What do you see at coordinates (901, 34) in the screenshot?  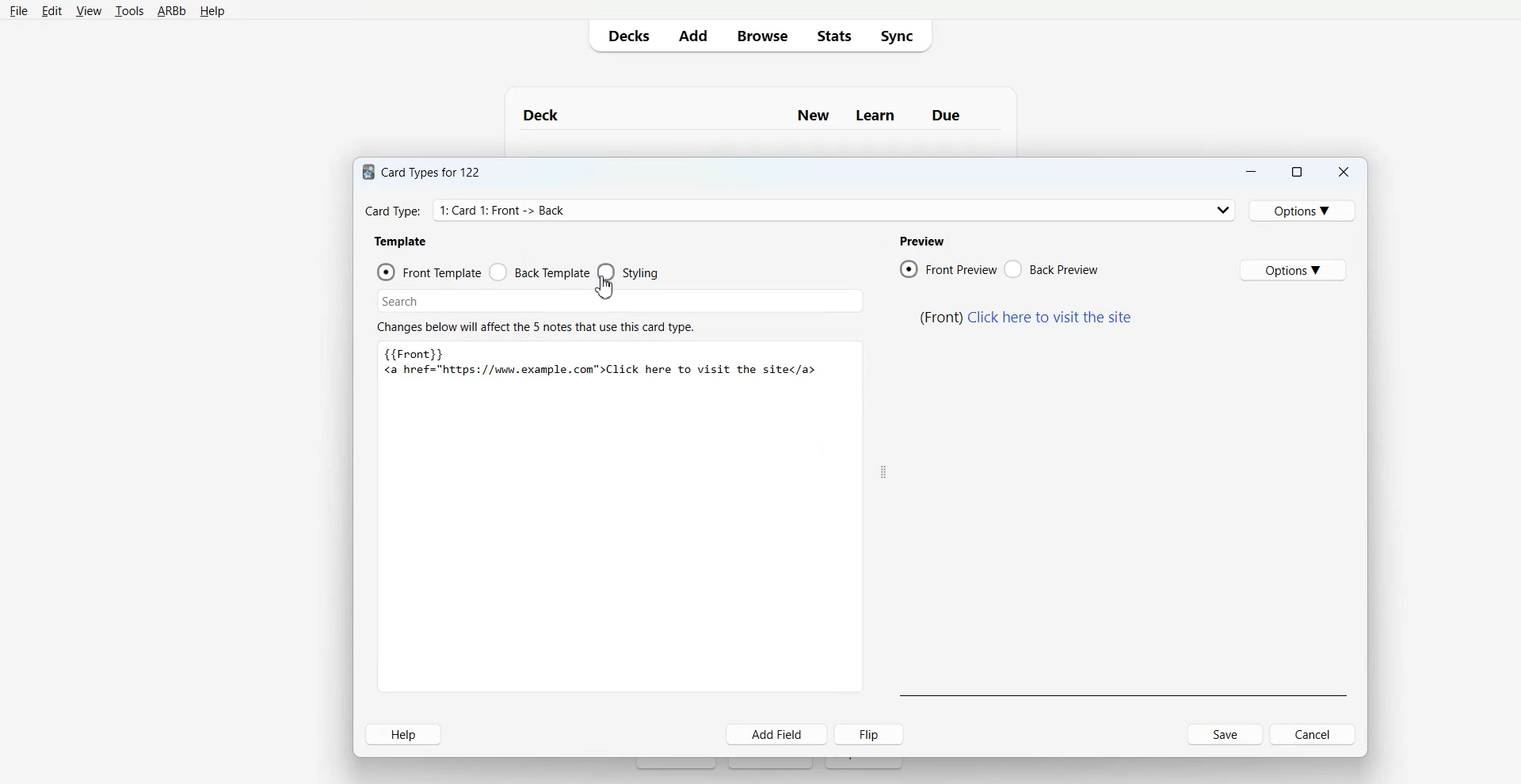 I see `Sync` at bounding box center [901, 34].